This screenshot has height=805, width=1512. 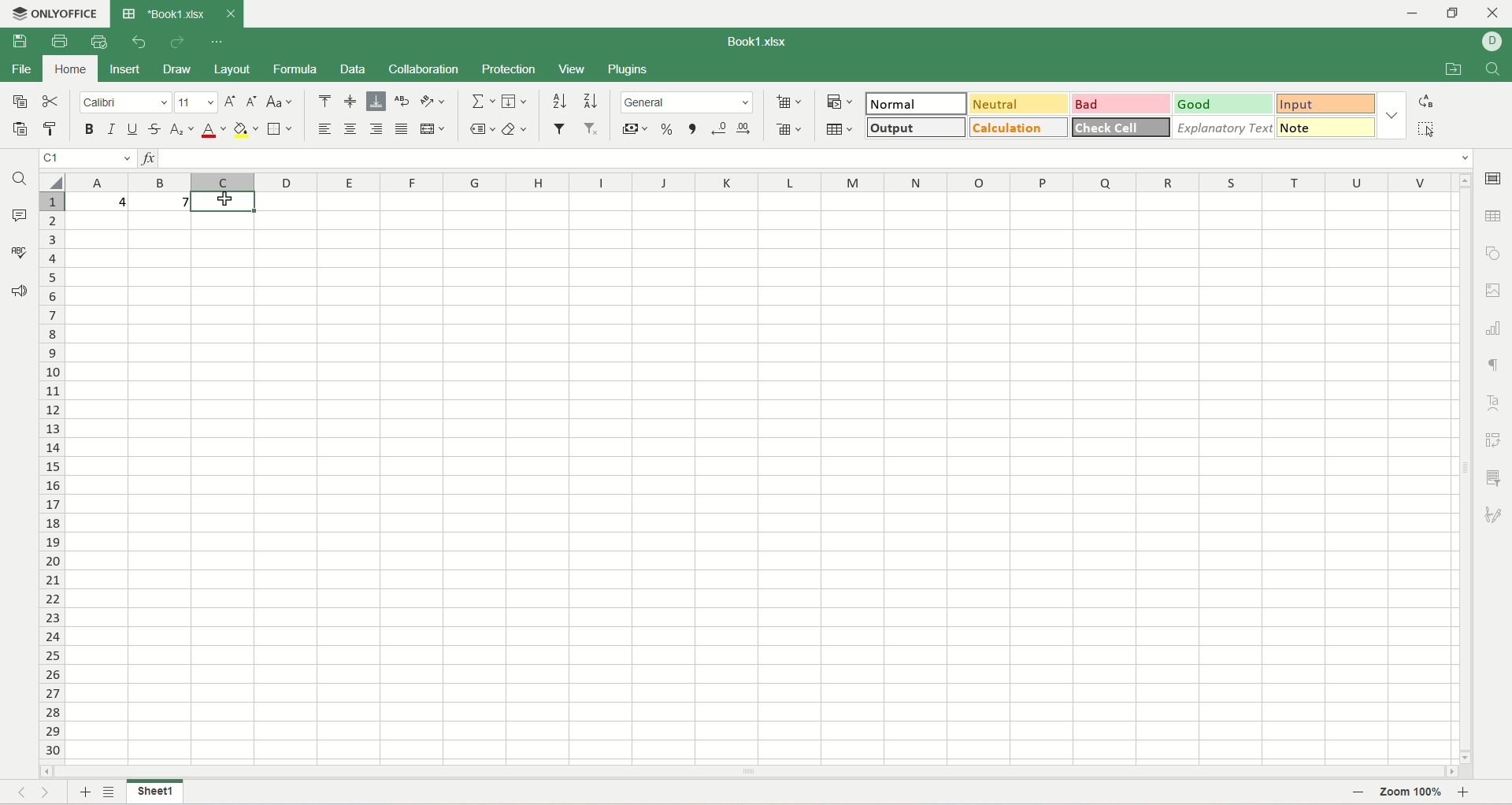 I want to click on pivot settings, so click(x=1497, y=440).